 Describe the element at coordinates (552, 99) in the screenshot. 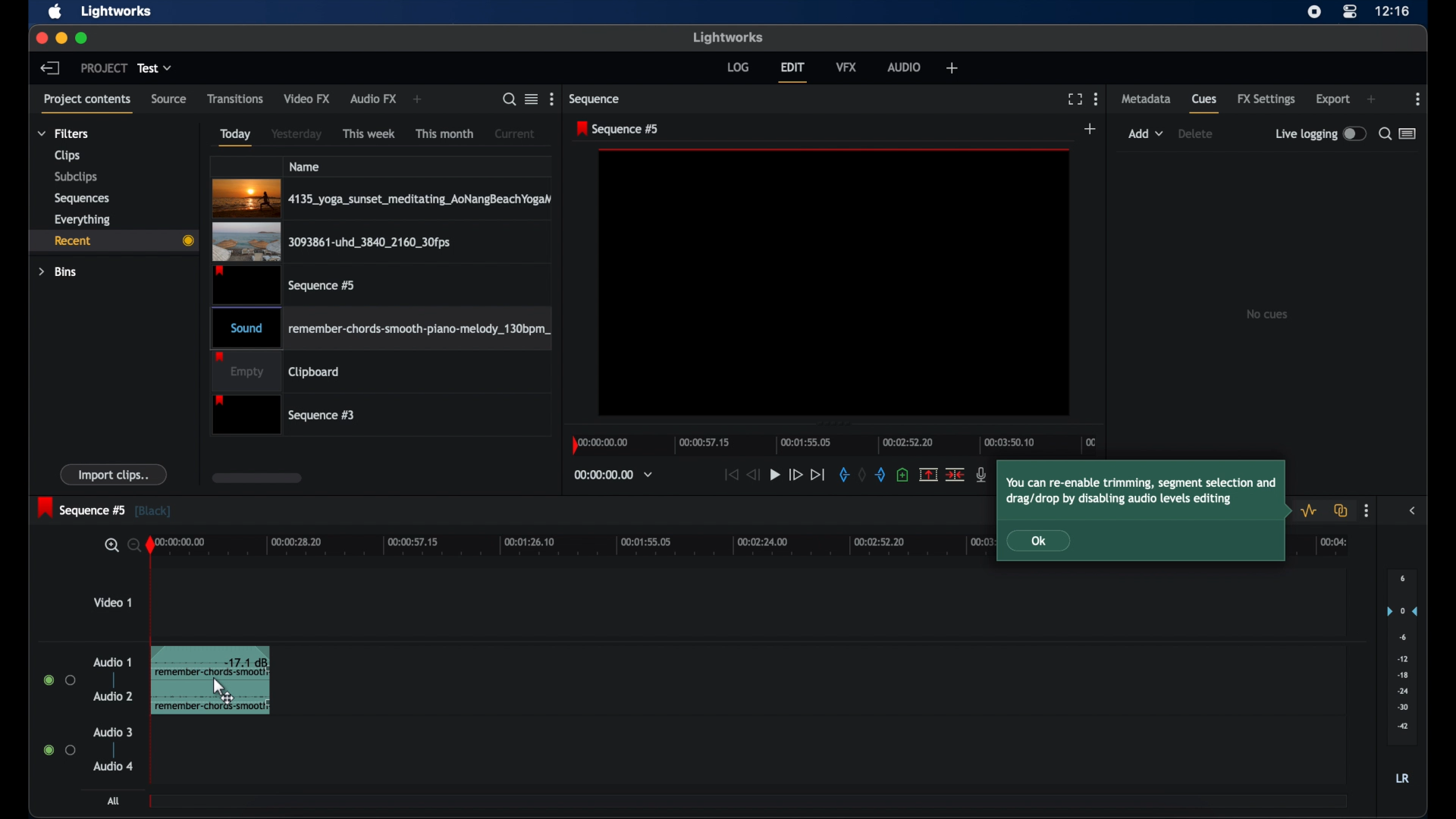

I see `more options` at that location.